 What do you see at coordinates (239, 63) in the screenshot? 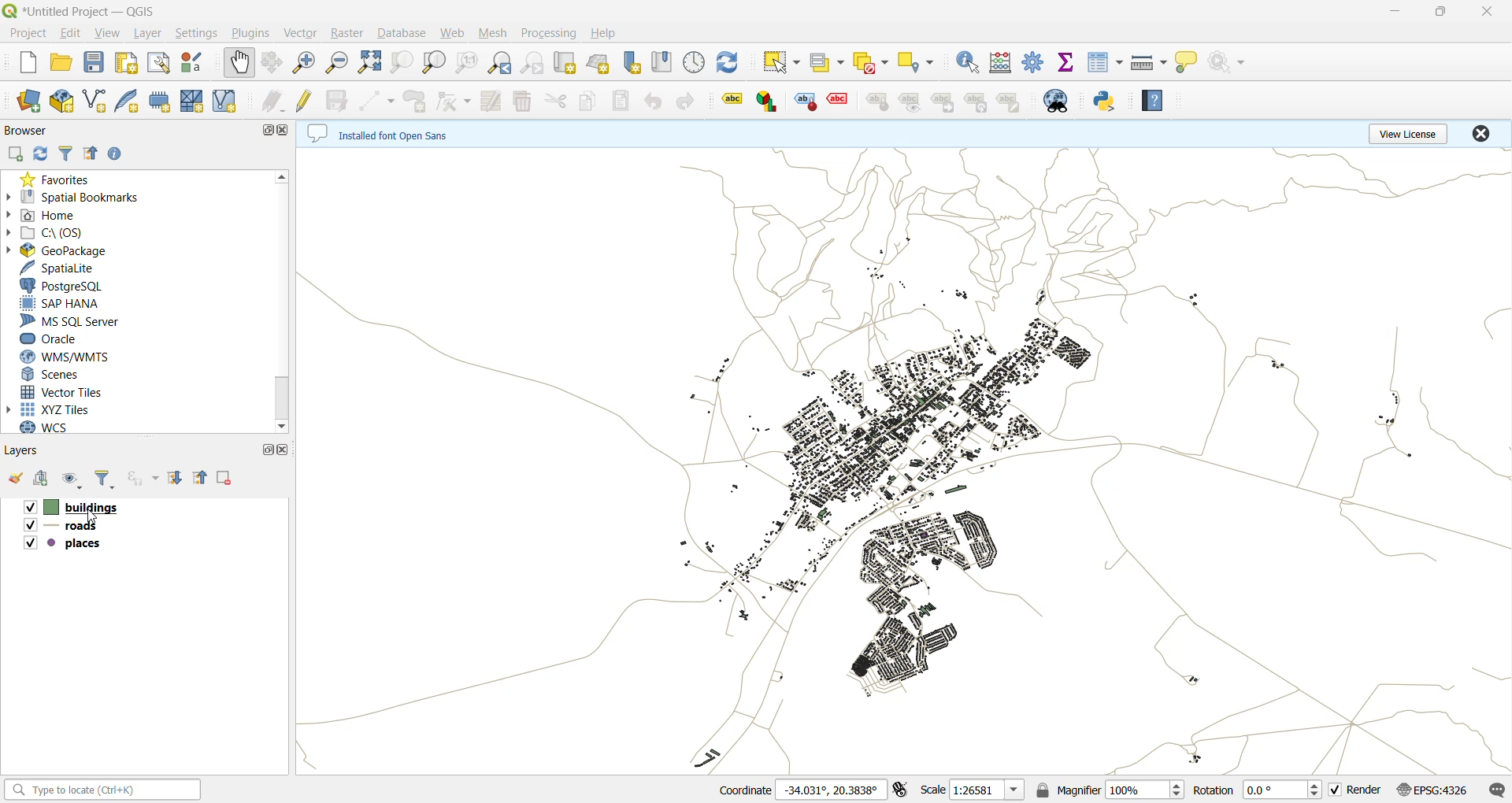
I see `pan map` at bounding box center [239, 63].